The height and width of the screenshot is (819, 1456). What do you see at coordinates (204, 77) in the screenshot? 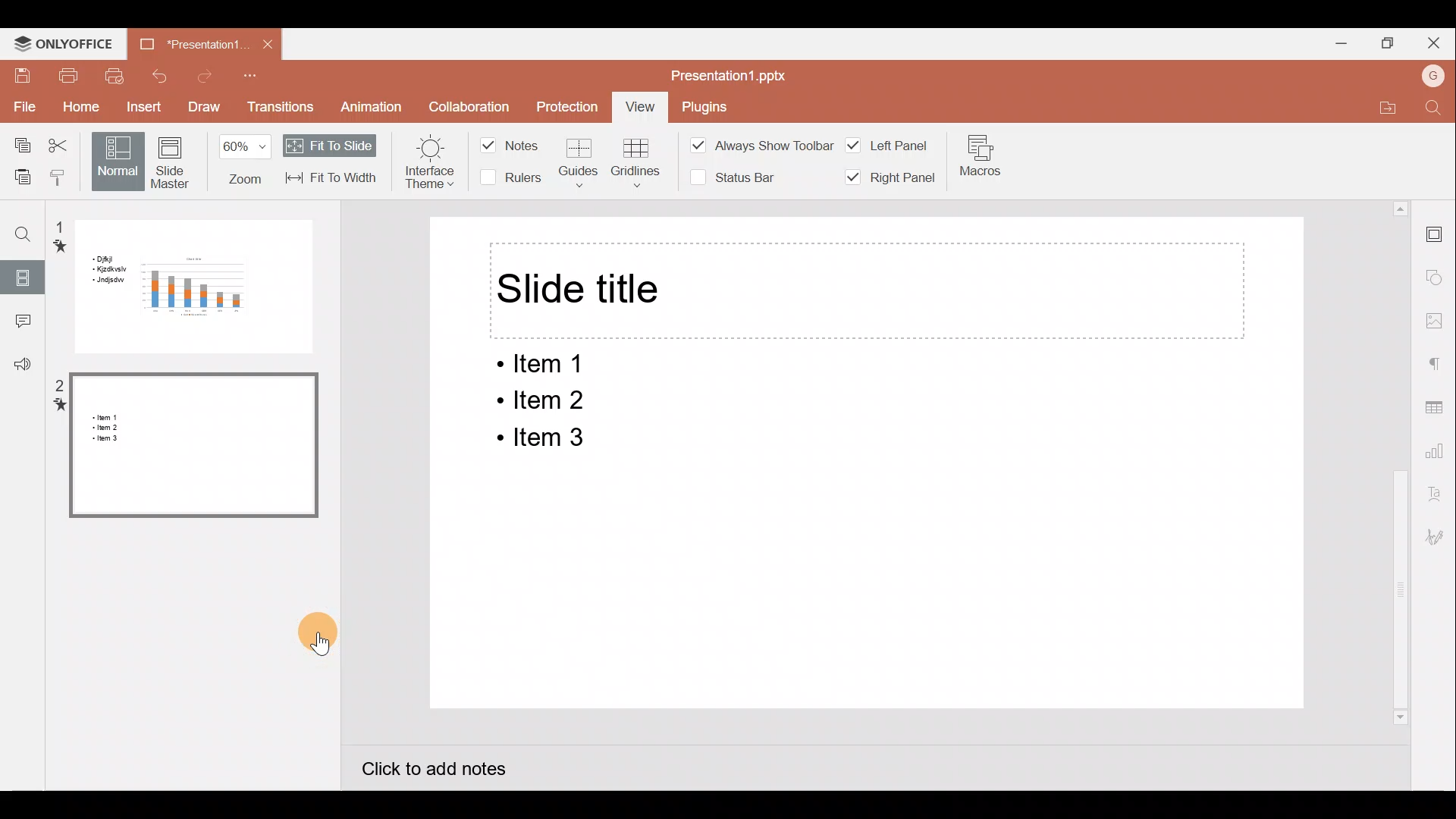
I see `Redo` at bounding box center [204, 77].